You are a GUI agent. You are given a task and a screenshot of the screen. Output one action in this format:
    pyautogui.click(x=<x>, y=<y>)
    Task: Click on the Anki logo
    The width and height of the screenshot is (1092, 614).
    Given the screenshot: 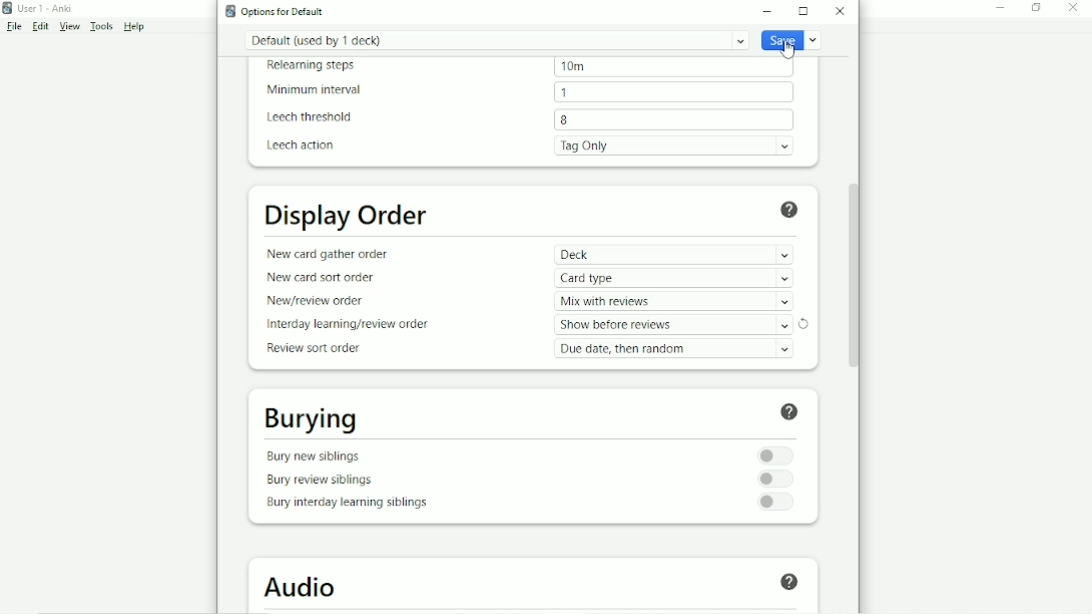 What is the action you would take?
    pyautogui.click(x=230, y=11)
    